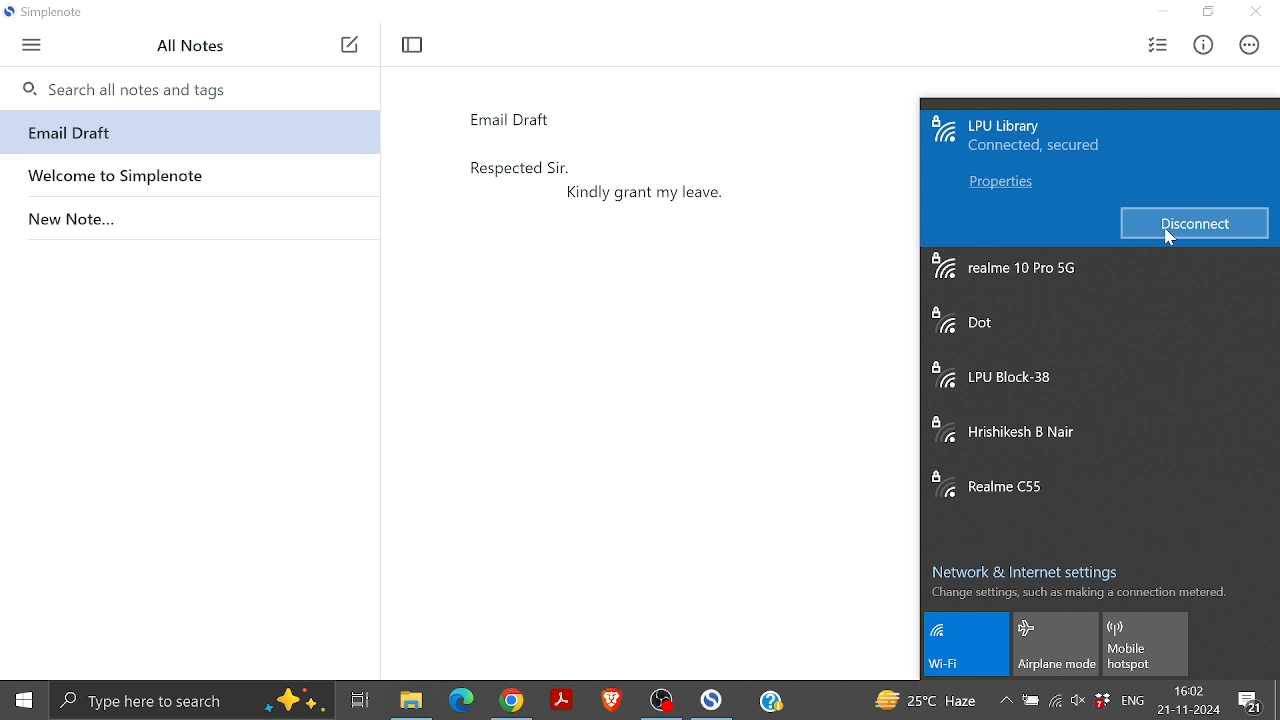 Image resolution: width=1280 pixels, height=720 pixels. Describe the element at coordinates (188, 173) in the screenshot. I see `Note titled "Welcome to Simplenote"` at that location.